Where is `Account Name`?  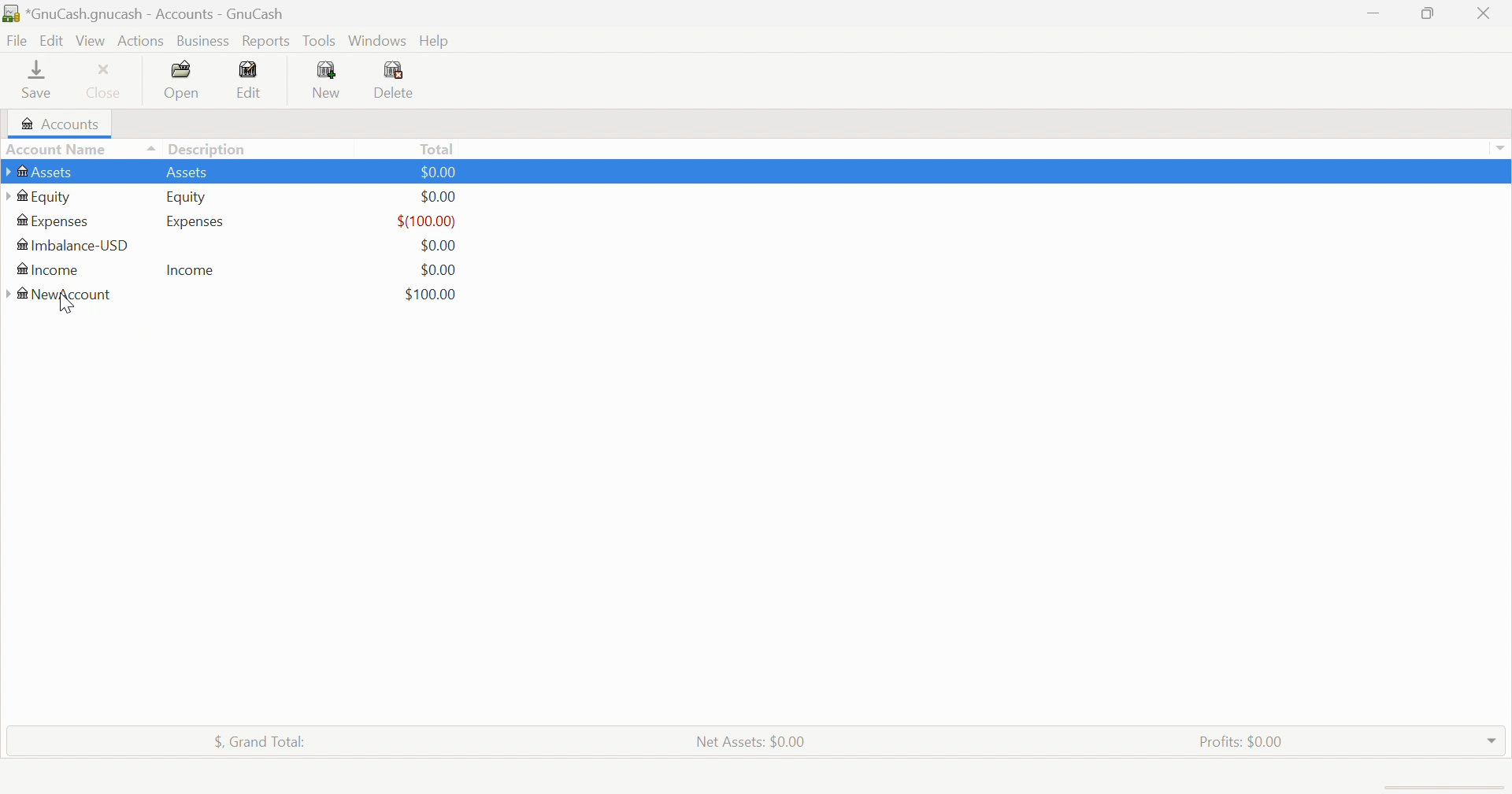 Account Name is located at coordinates (81, 150).